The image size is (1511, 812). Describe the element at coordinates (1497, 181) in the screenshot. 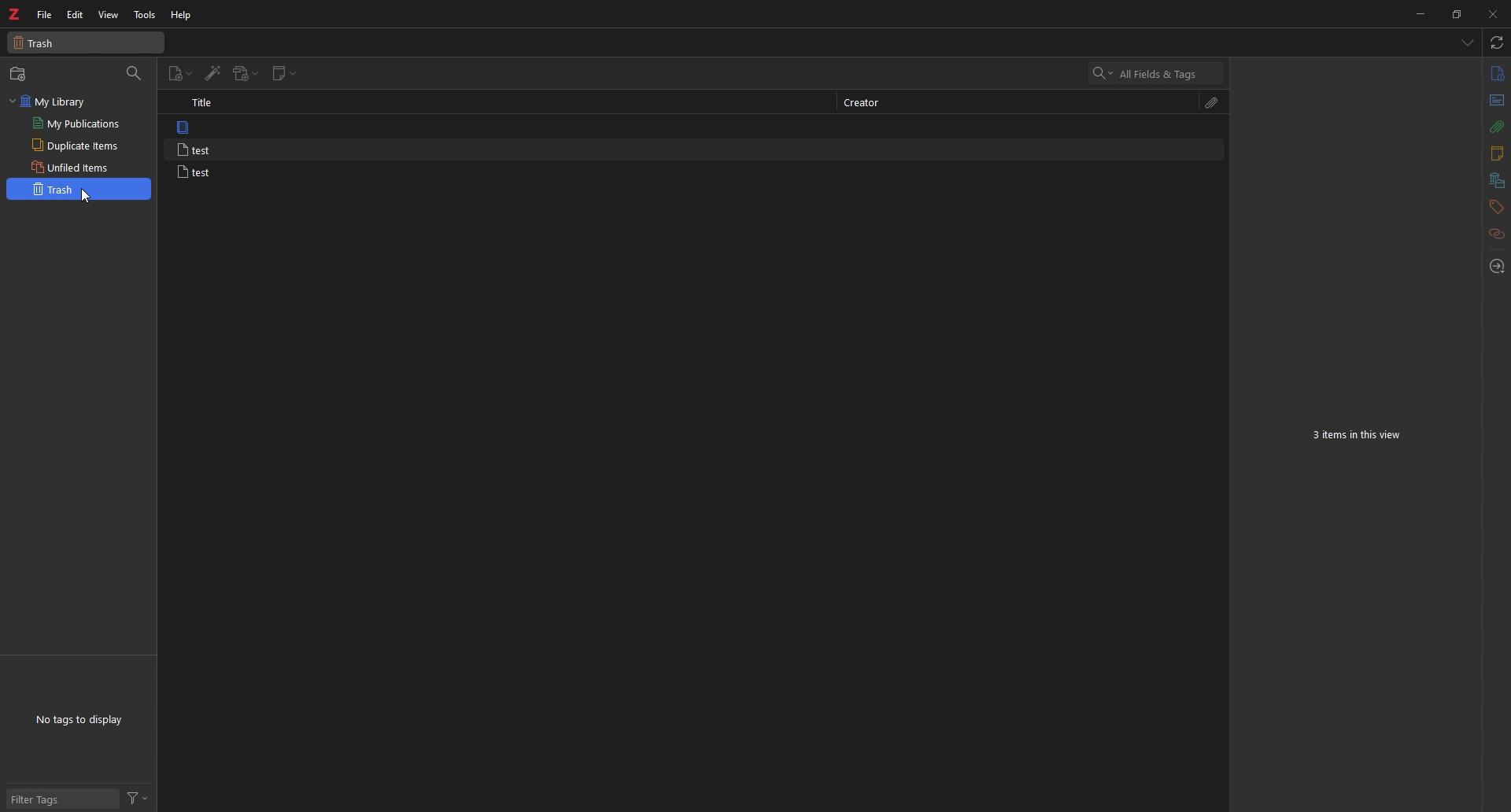

I see `libraries and collections` at that location.